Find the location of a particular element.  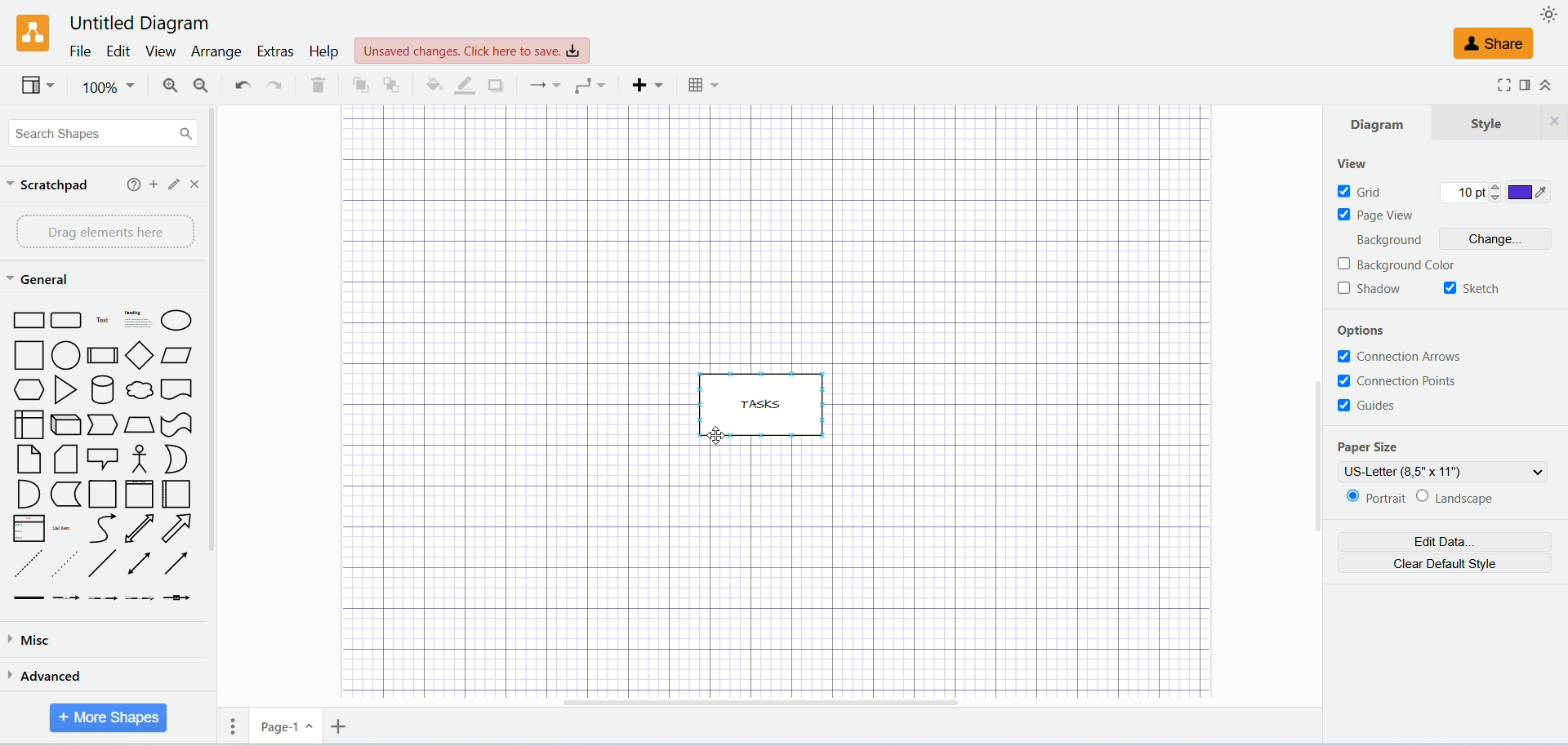

zoom in is located at coordinates (163, 85).